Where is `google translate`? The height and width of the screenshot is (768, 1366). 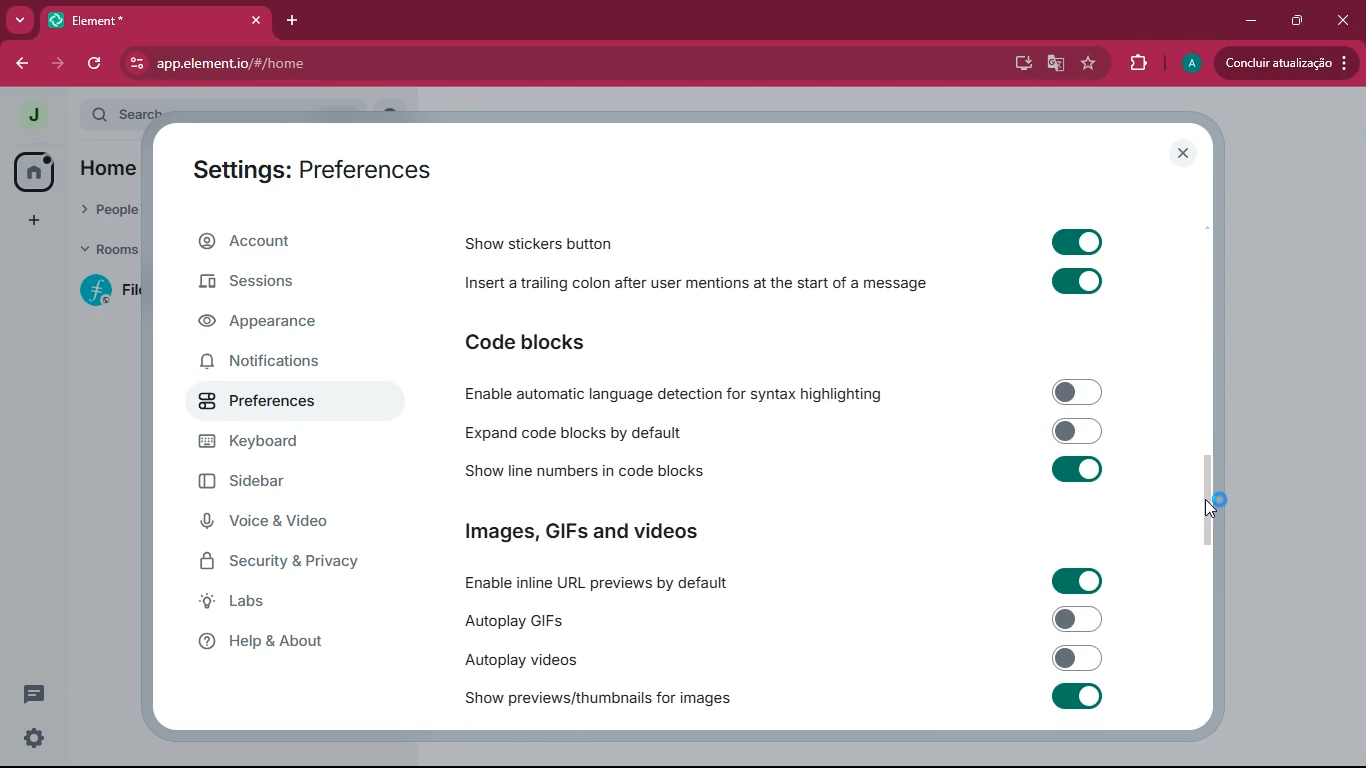 google translate is located at coordinates (1054, 63).